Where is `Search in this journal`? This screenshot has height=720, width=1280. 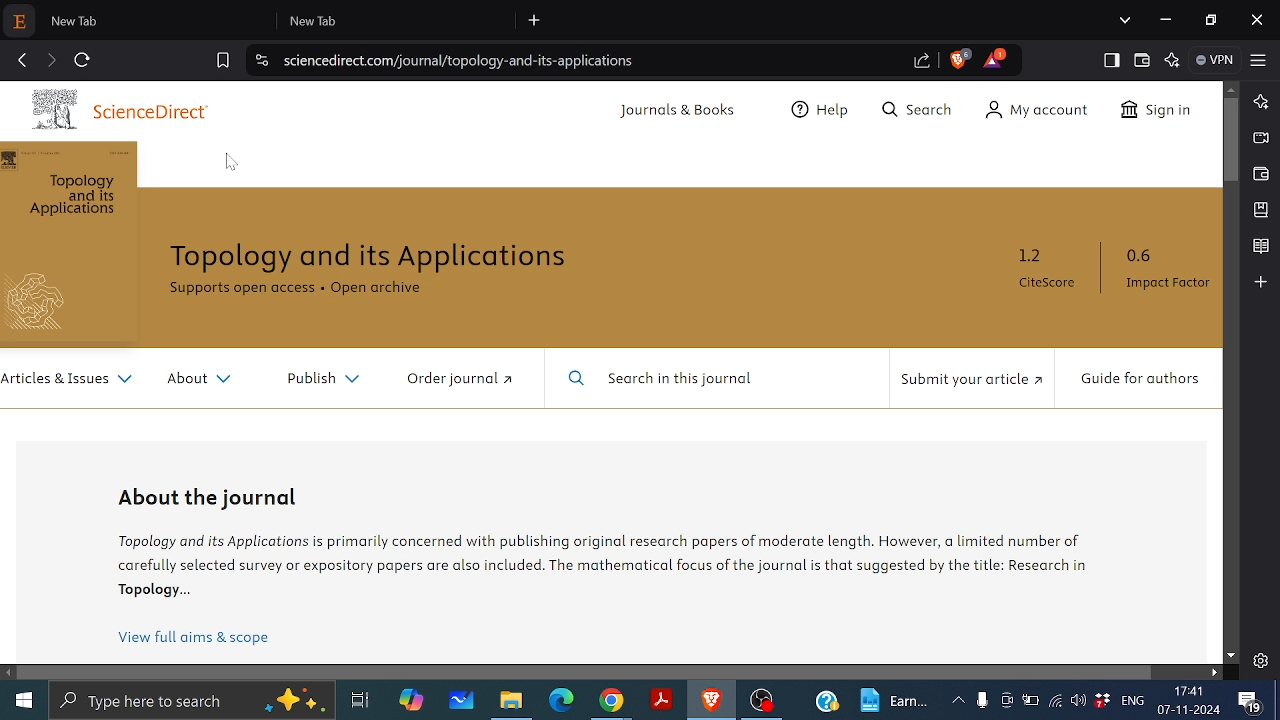
Search in this journal is located at coordinates (666, 379).